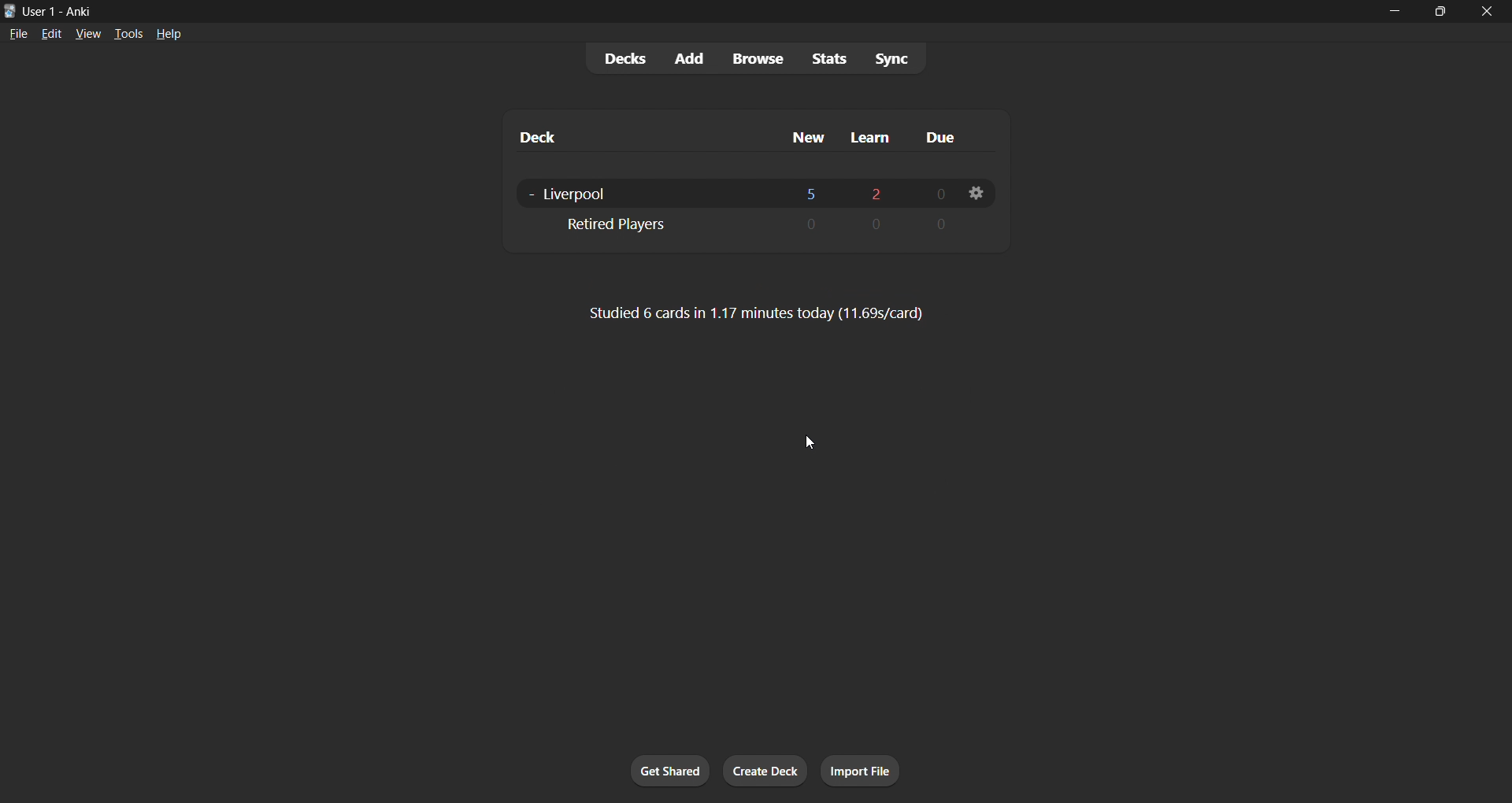  I want to click on liverpoool deck data, so click(750, 193).